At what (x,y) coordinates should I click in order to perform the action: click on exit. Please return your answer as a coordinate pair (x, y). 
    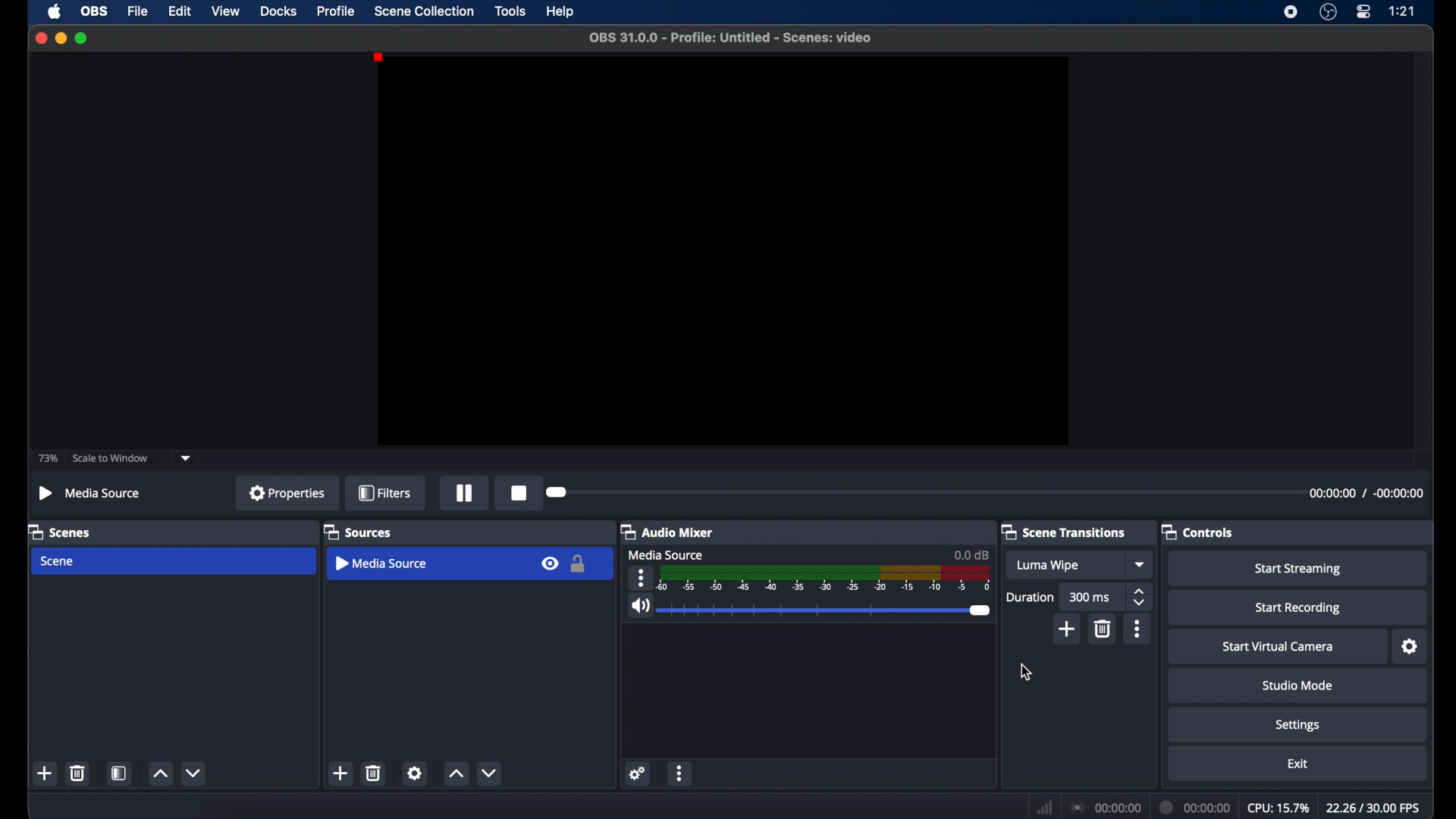
    Looking at the image, I should click on (1298, 764).